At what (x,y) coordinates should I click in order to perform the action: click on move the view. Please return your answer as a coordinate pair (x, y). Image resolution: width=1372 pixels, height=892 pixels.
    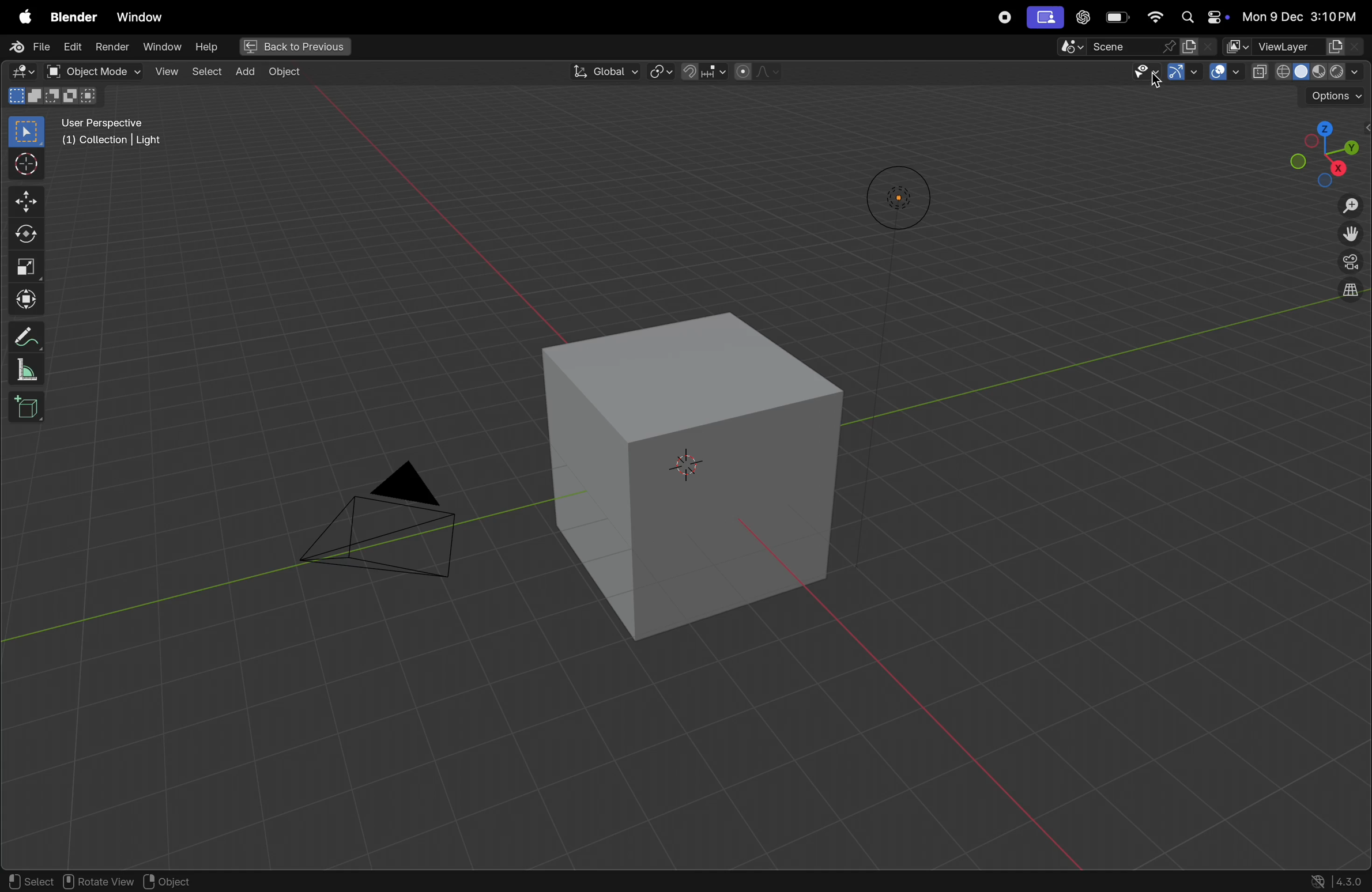
    Looking at the image, I should click on (1351, 235).